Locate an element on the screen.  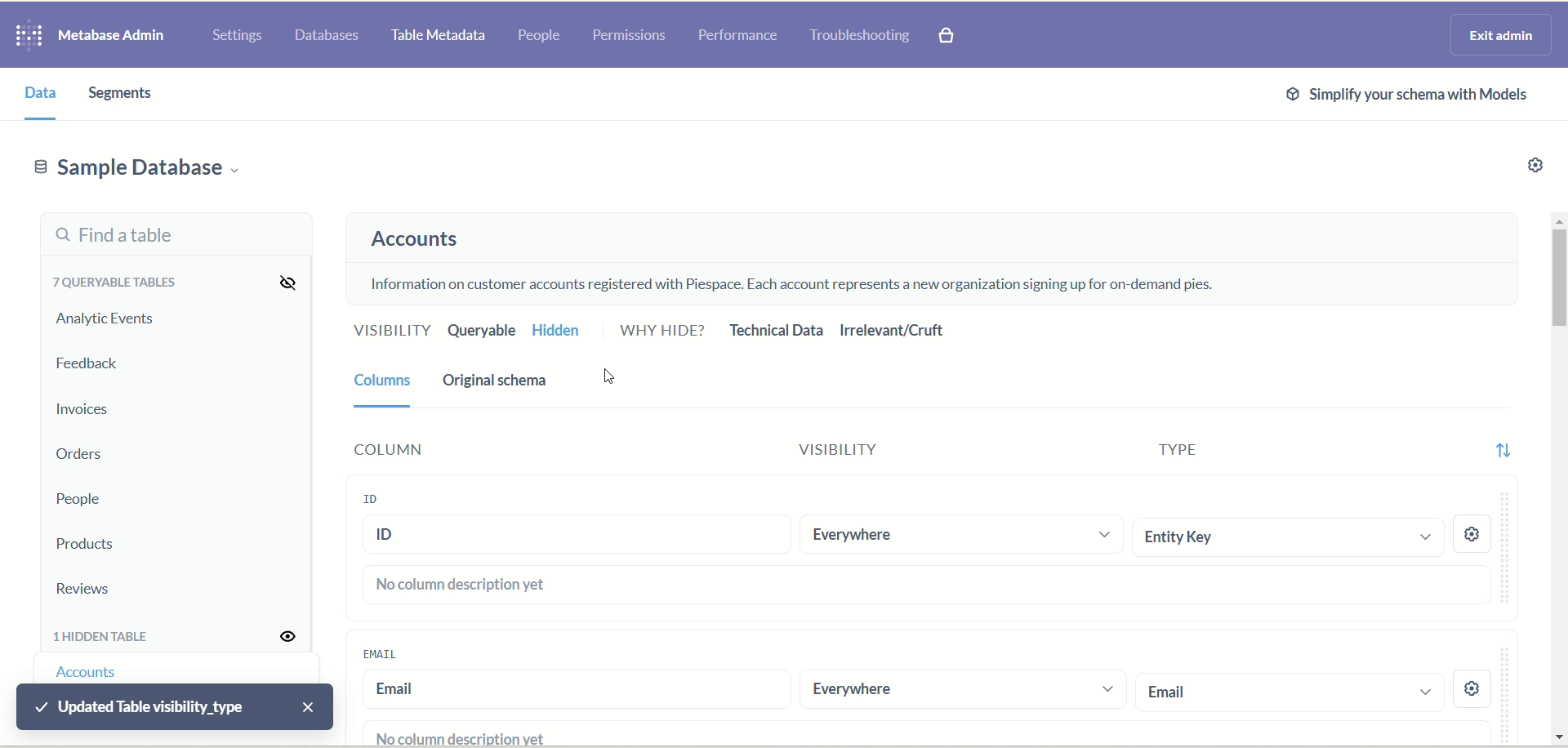
people is located at coordinates (78, 501).